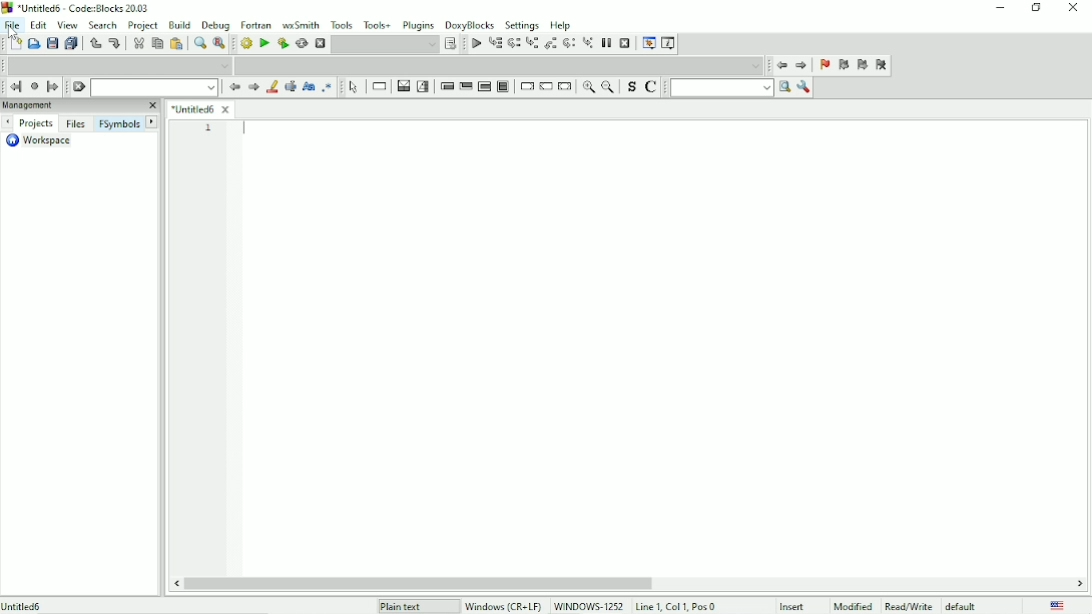 The width and height of the screenshot is (1092, 614). What do you see at coordinates (198, 44) in the screenshot?
I see `Find` at bounding box center [198, 44].